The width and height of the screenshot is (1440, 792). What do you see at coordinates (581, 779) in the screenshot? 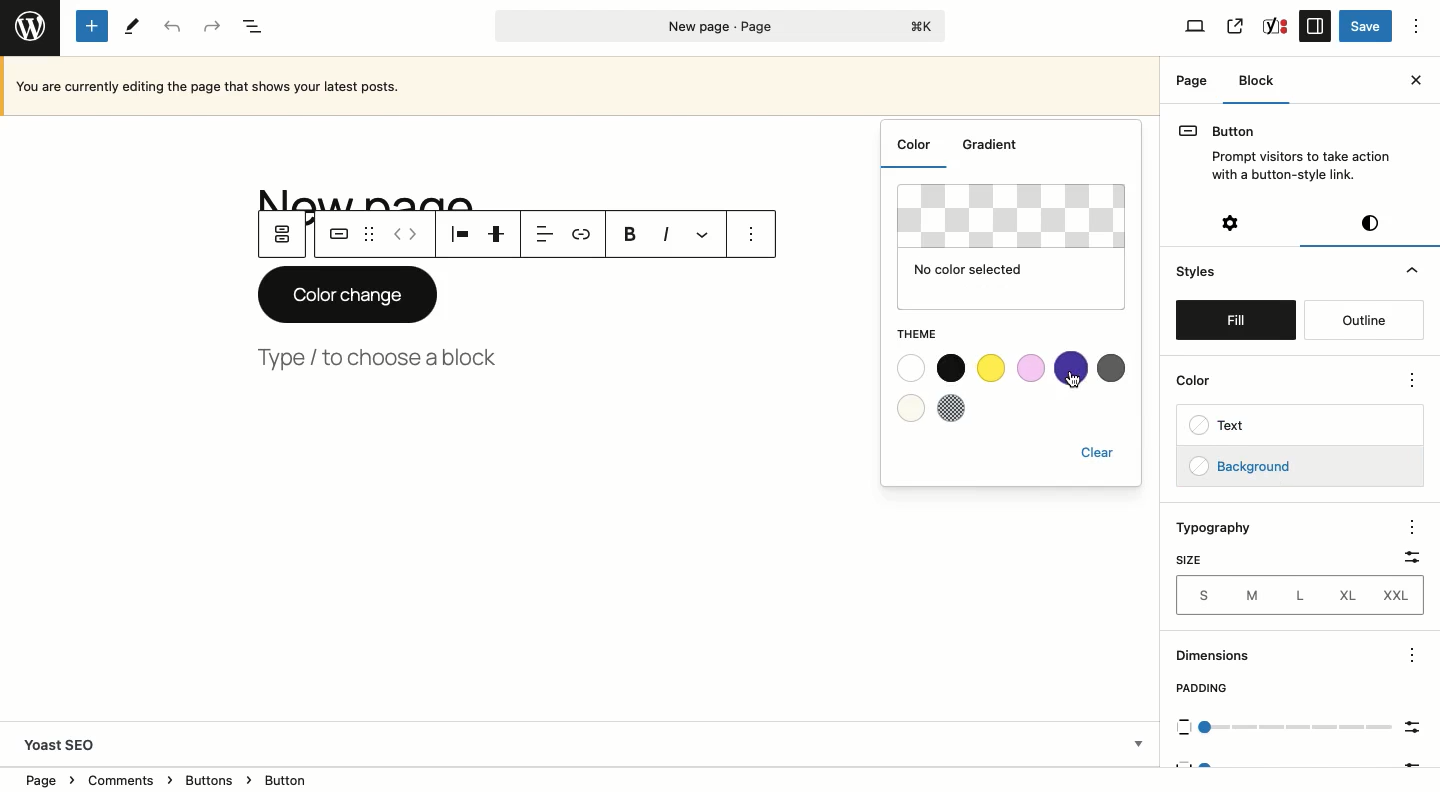
I see `Location` at bounding box center [581, 779].